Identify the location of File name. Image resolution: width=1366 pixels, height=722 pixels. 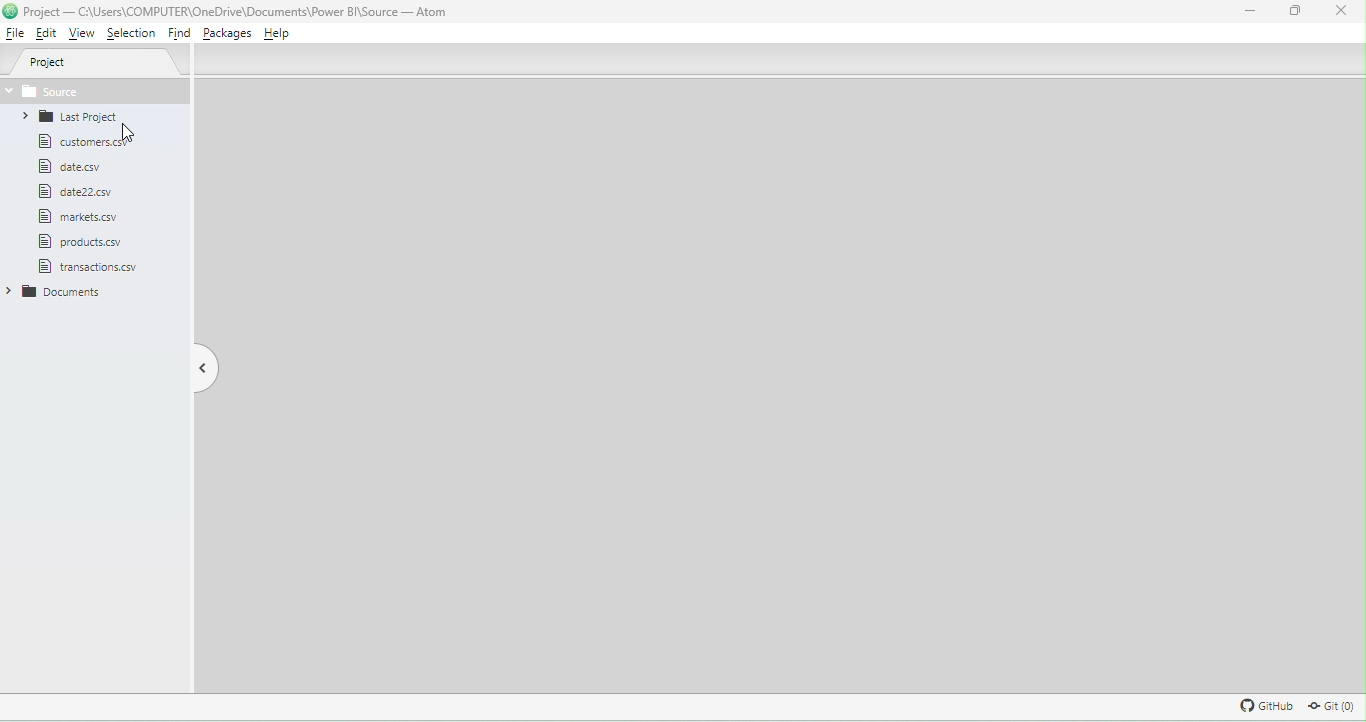
(238, 11).